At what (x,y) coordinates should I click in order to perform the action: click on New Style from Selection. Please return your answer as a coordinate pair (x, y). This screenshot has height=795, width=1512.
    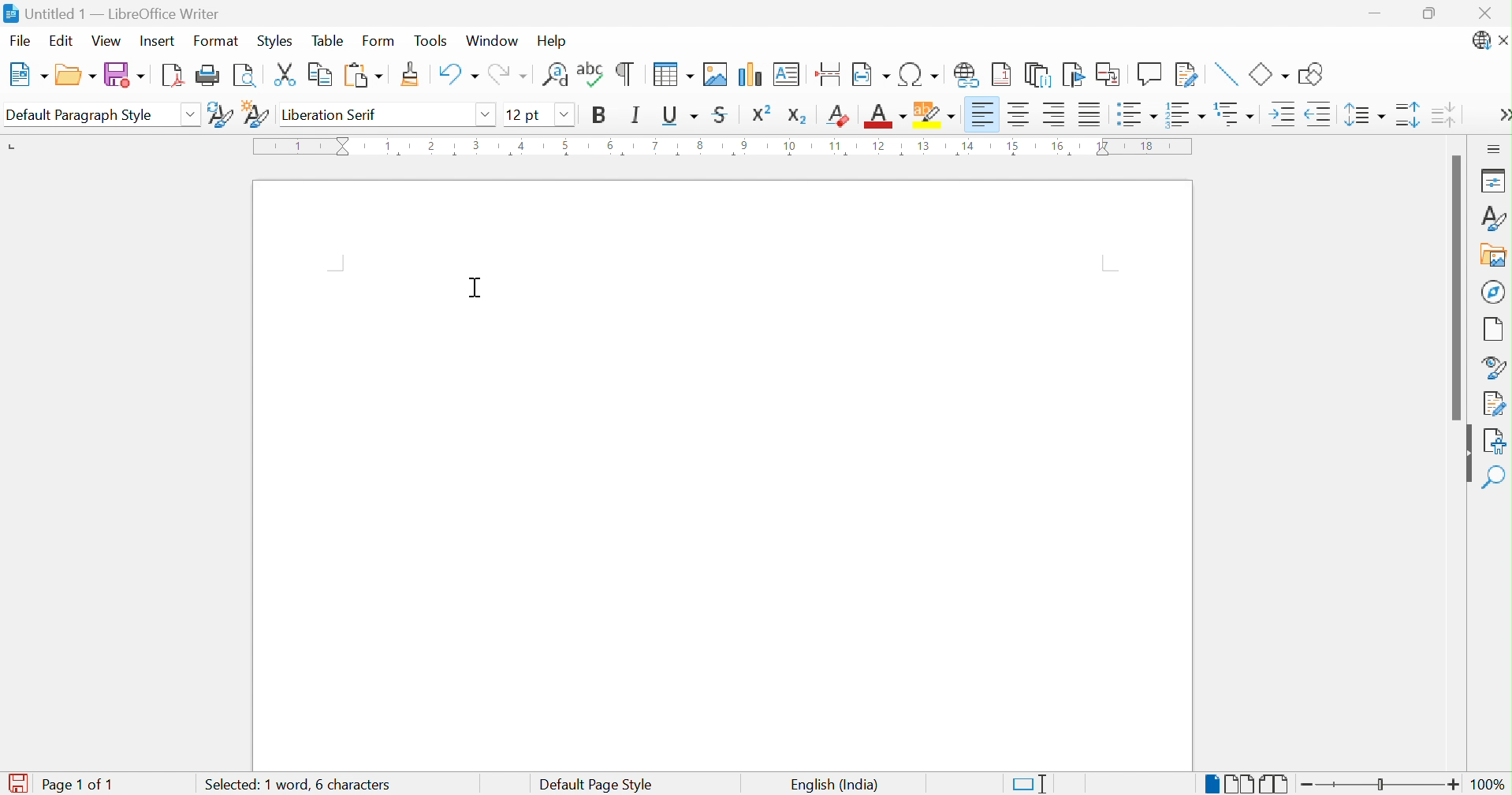
    Looking at the image, I should click on (255, 113).